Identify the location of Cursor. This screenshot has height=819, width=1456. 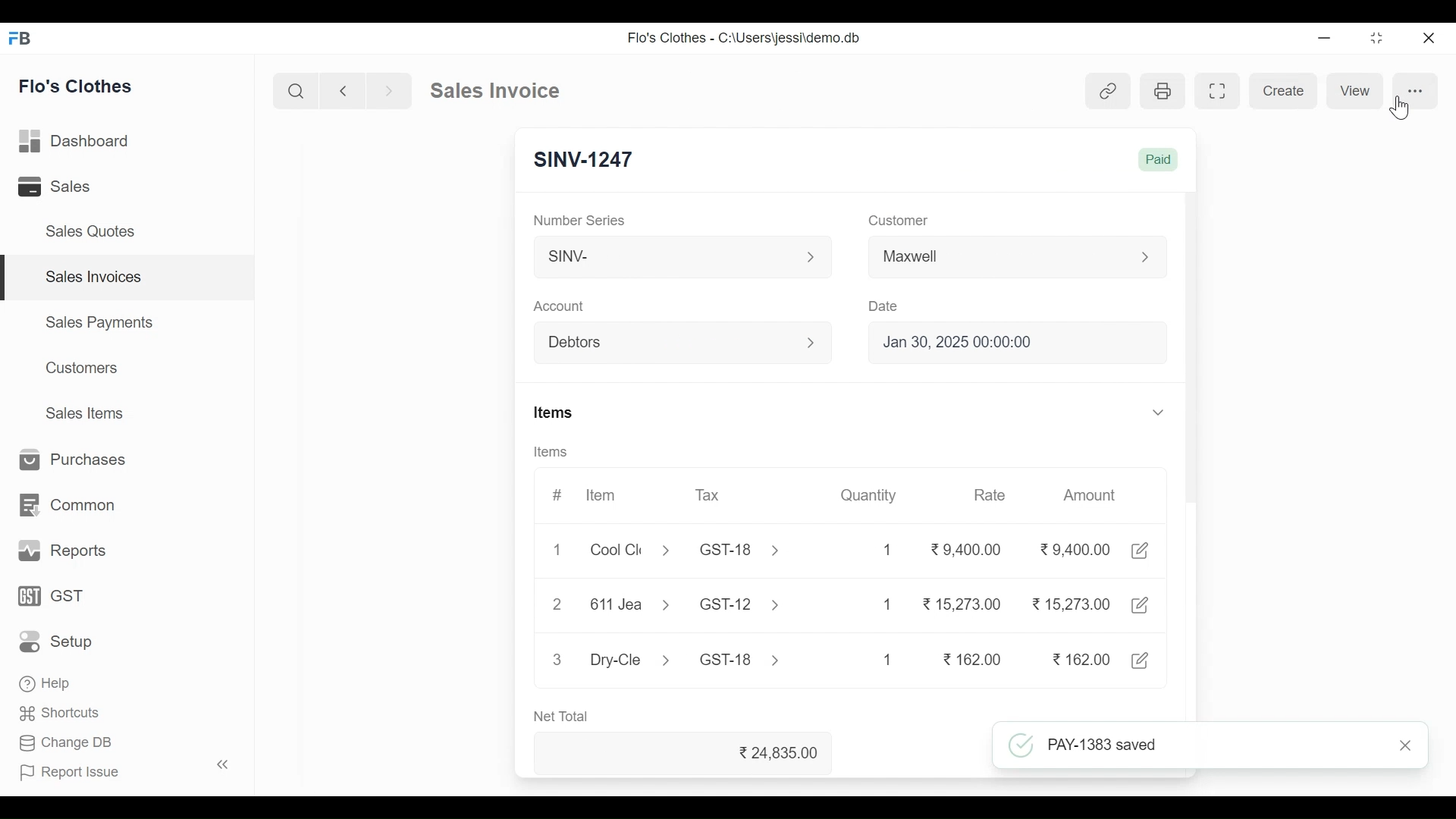
(1398, 108).